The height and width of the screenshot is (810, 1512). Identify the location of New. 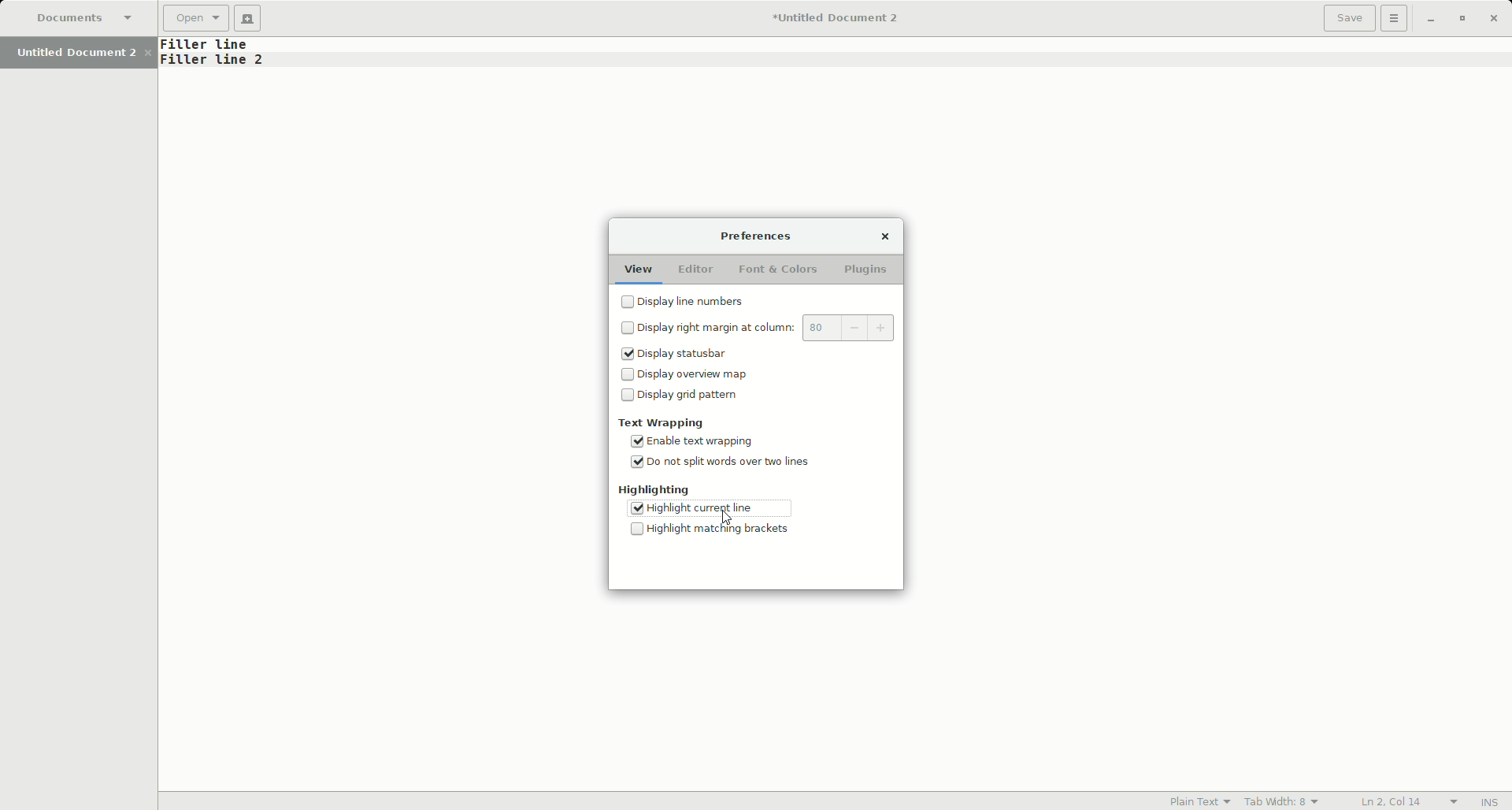
(251, 18).